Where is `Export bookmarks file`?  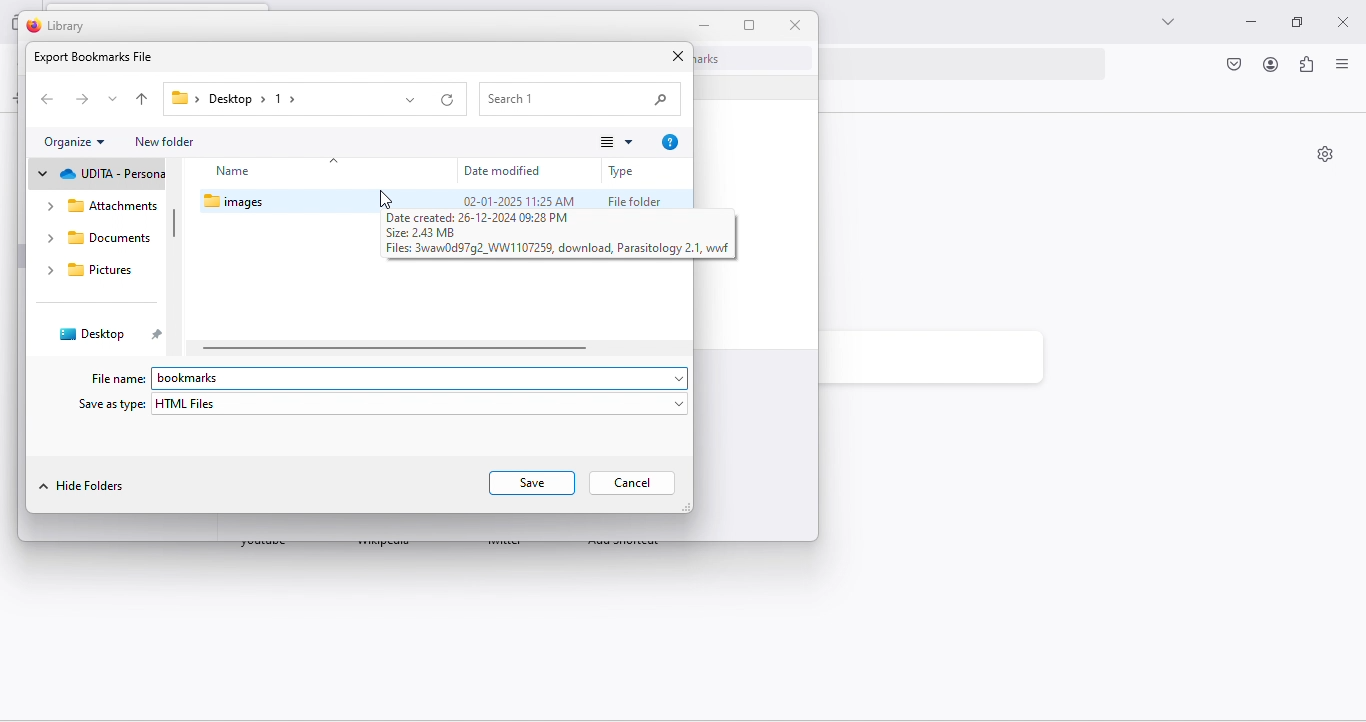 Export bookmarks file is located at coordinates (93, 57).